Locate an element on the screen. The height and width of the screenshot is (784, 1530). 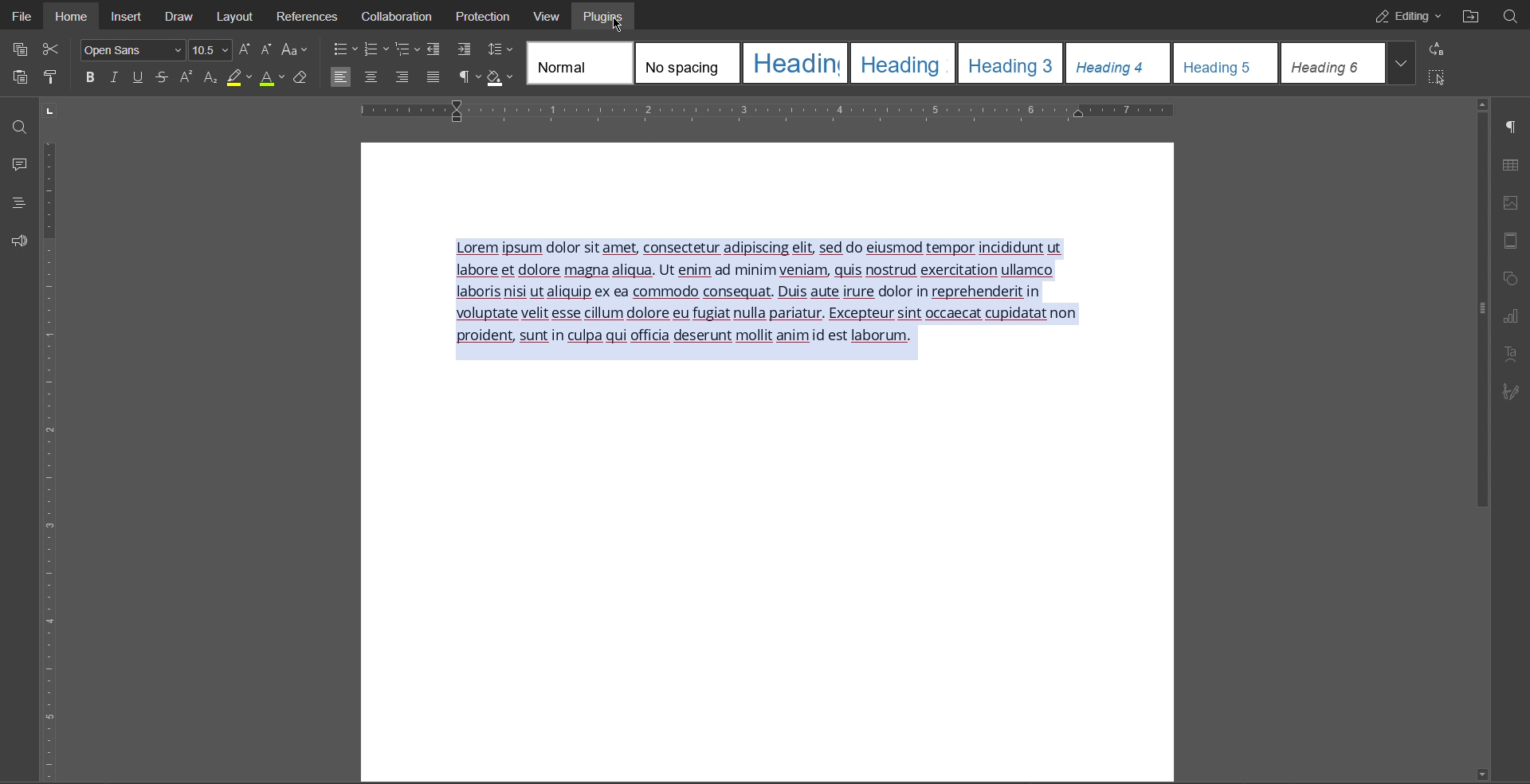
Heading 3 is located at coordinates (1013, 63).